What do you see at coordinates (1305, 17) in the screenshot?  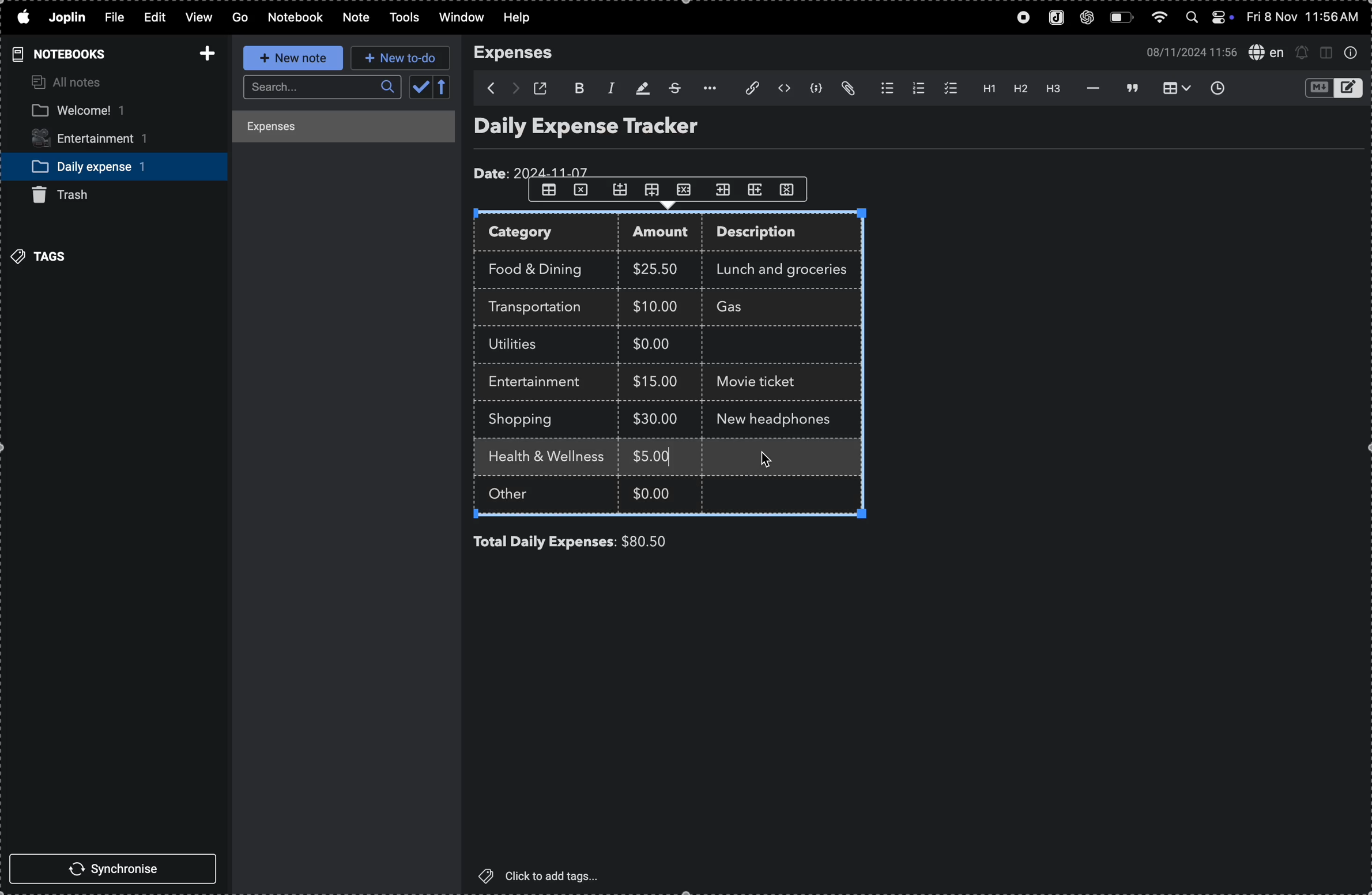 I see `date and time` at bounding box center [1305, 17].